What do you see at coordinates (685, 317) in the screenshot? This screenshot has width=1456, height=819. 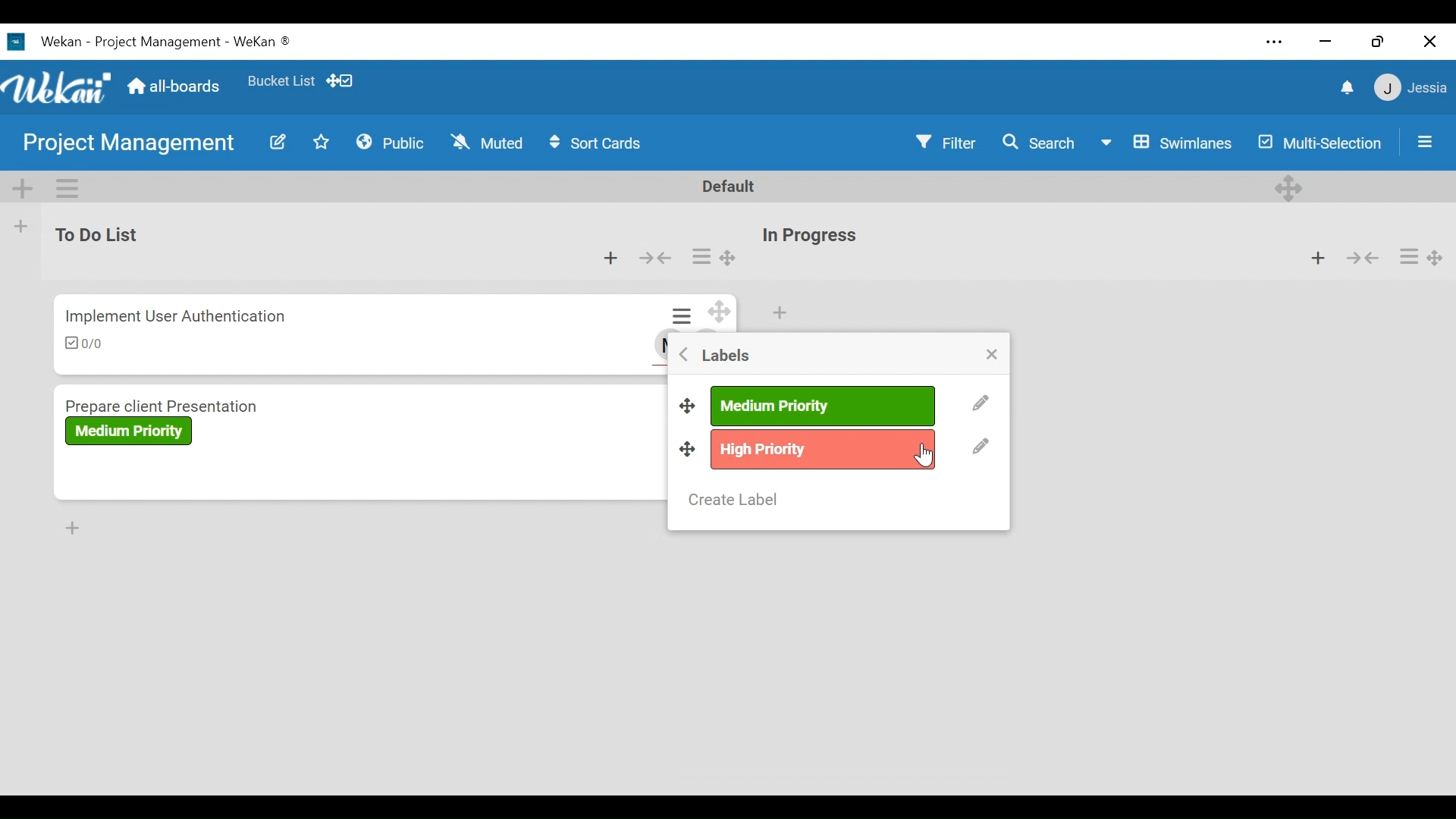 I see `Card actions` at bounding box center [685, 317].